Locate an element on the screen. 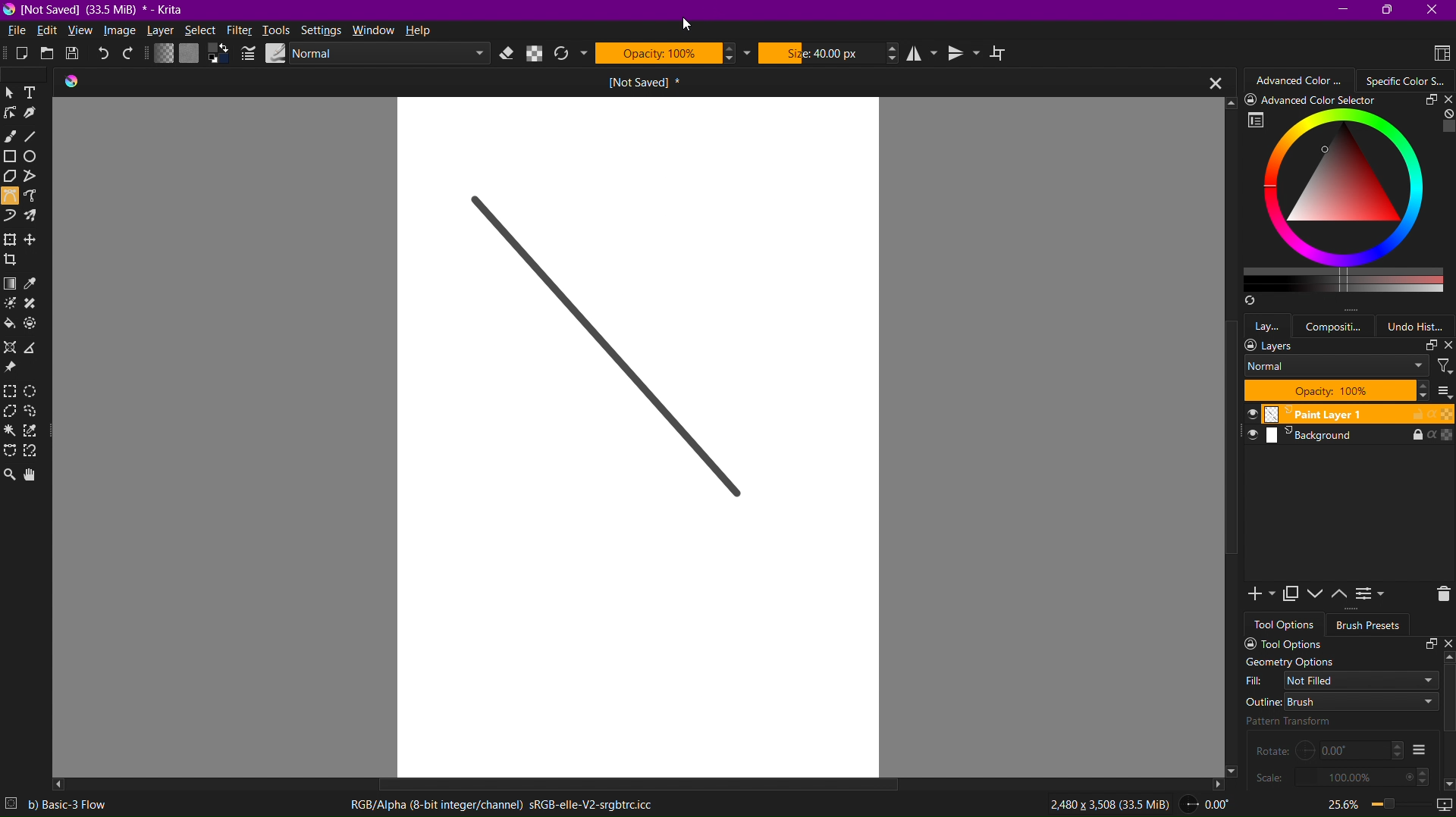  Move Layer or Mask Up is located at coordinates (1342, 594).